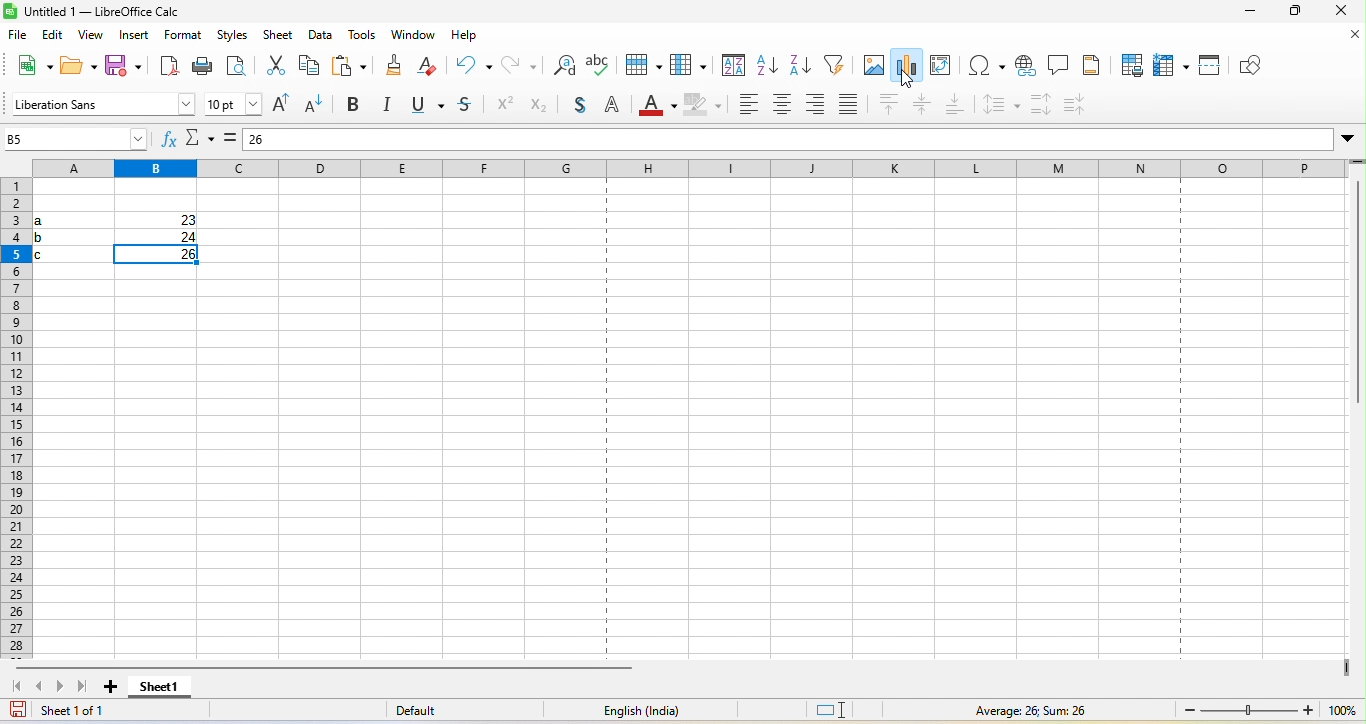 The height and width of the screenshot is (724, 1366). What do you see at coordinates (122, 69) in the screenshot?
I see `save` at bounding box center [122, 69].